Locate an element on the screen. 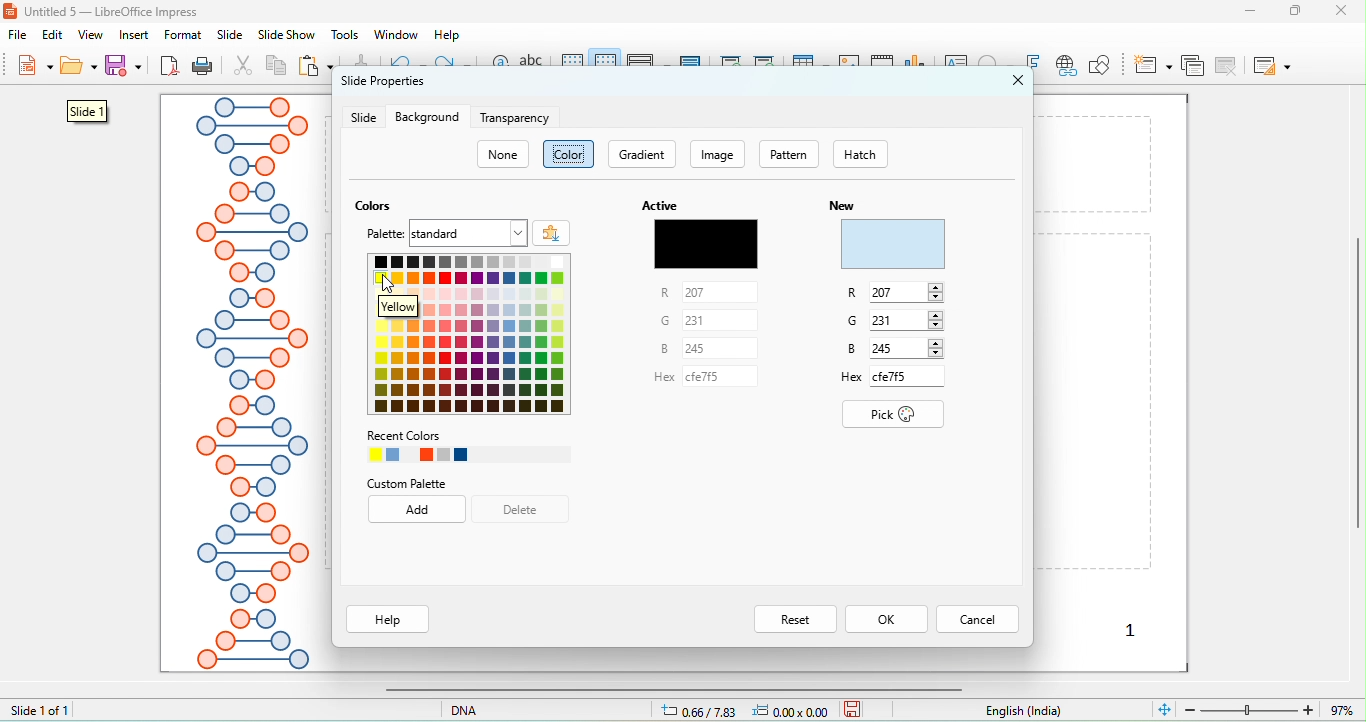 The height and width of the screenshot is (722, 1366). minimize is located at coordinates (1250, 10).